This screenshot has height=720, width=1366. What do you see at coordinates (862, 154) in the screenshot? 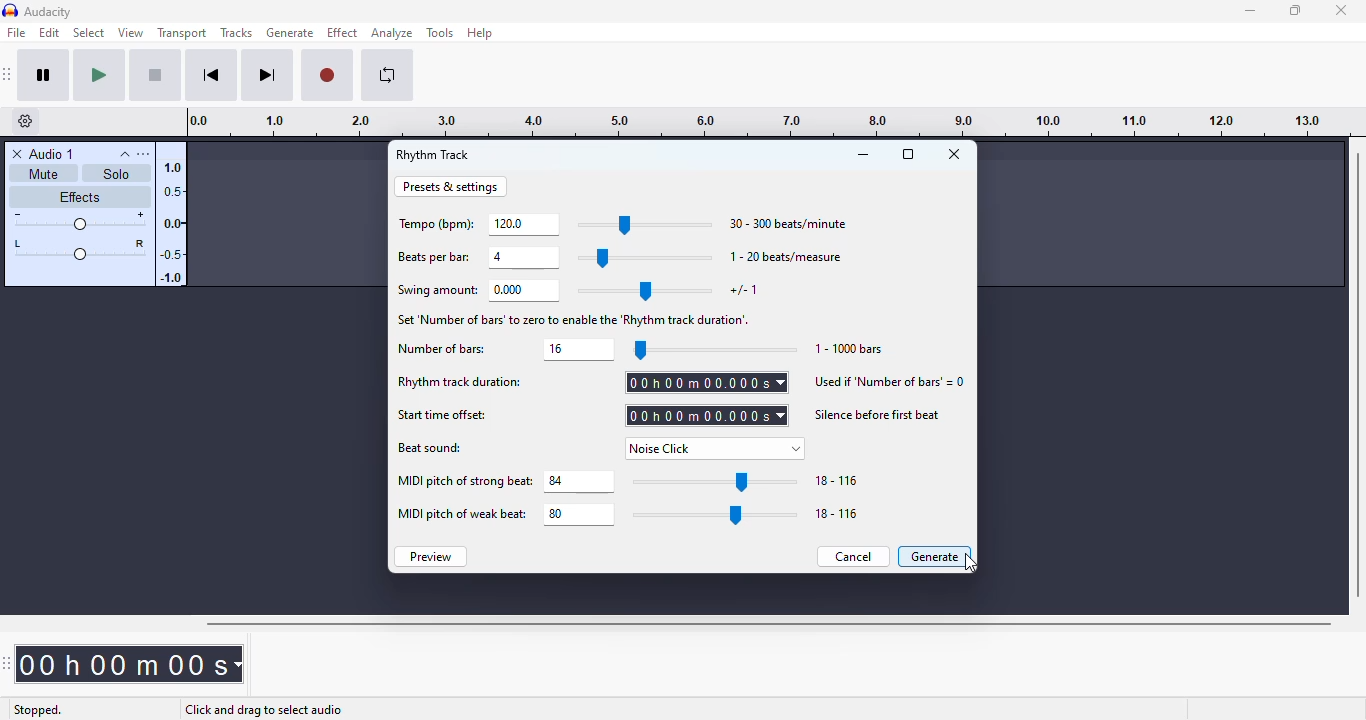
I see `minimize` at bounding box center [862, 154].